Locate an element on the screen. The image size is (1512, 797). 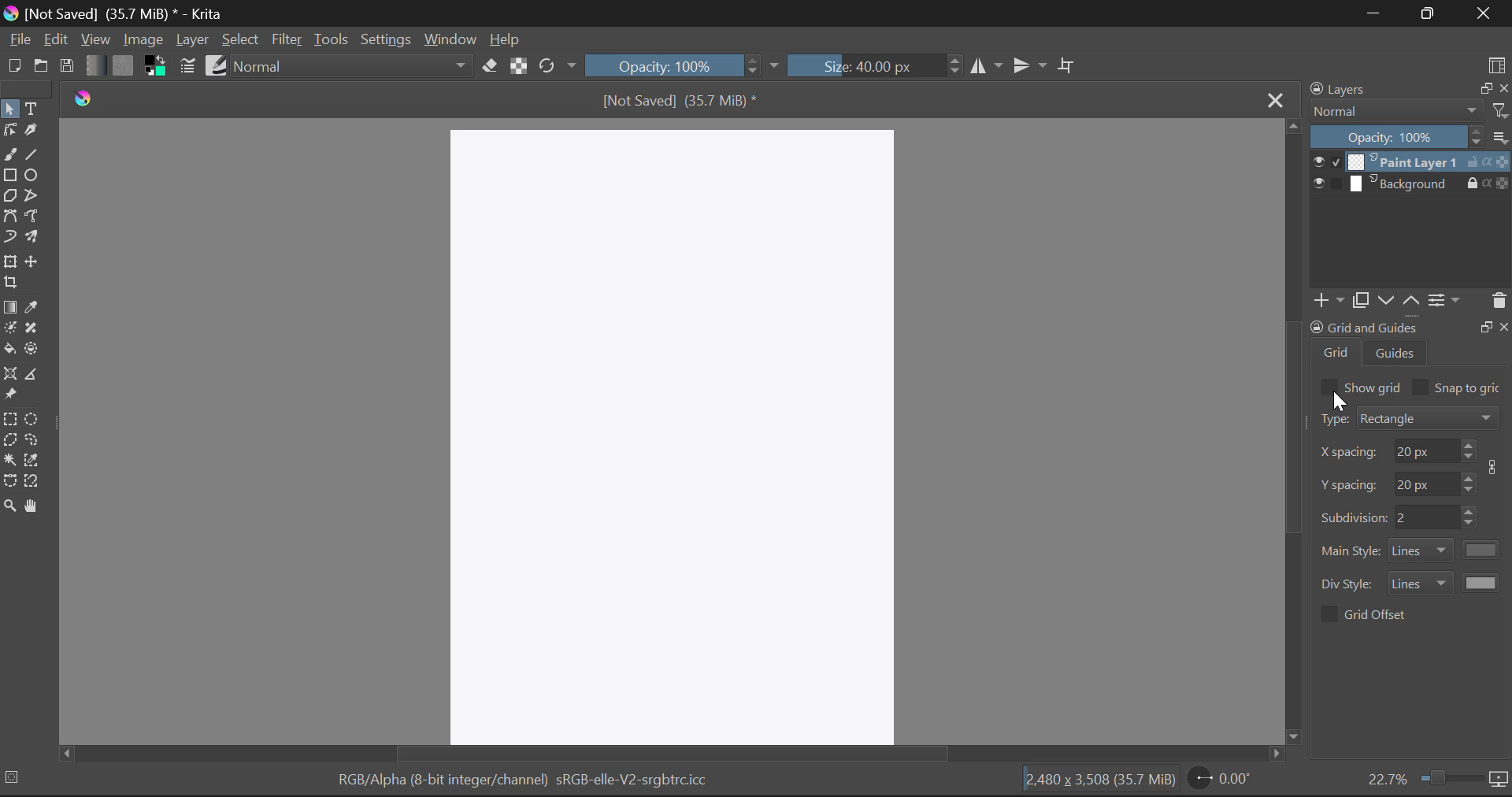
 is located at coordinates (1485, 325).